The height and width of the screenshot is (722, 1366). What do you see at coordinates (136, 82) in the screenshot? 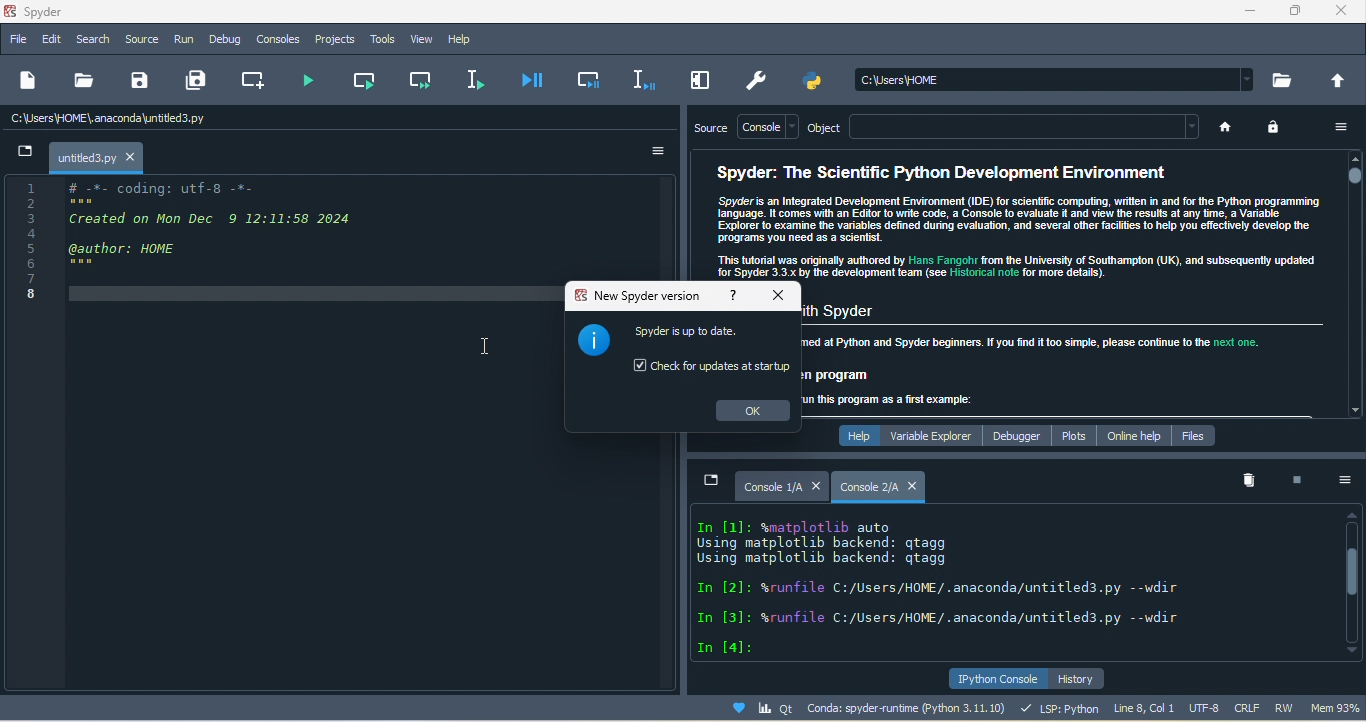
I see `save` at bounding box center [136, 82].